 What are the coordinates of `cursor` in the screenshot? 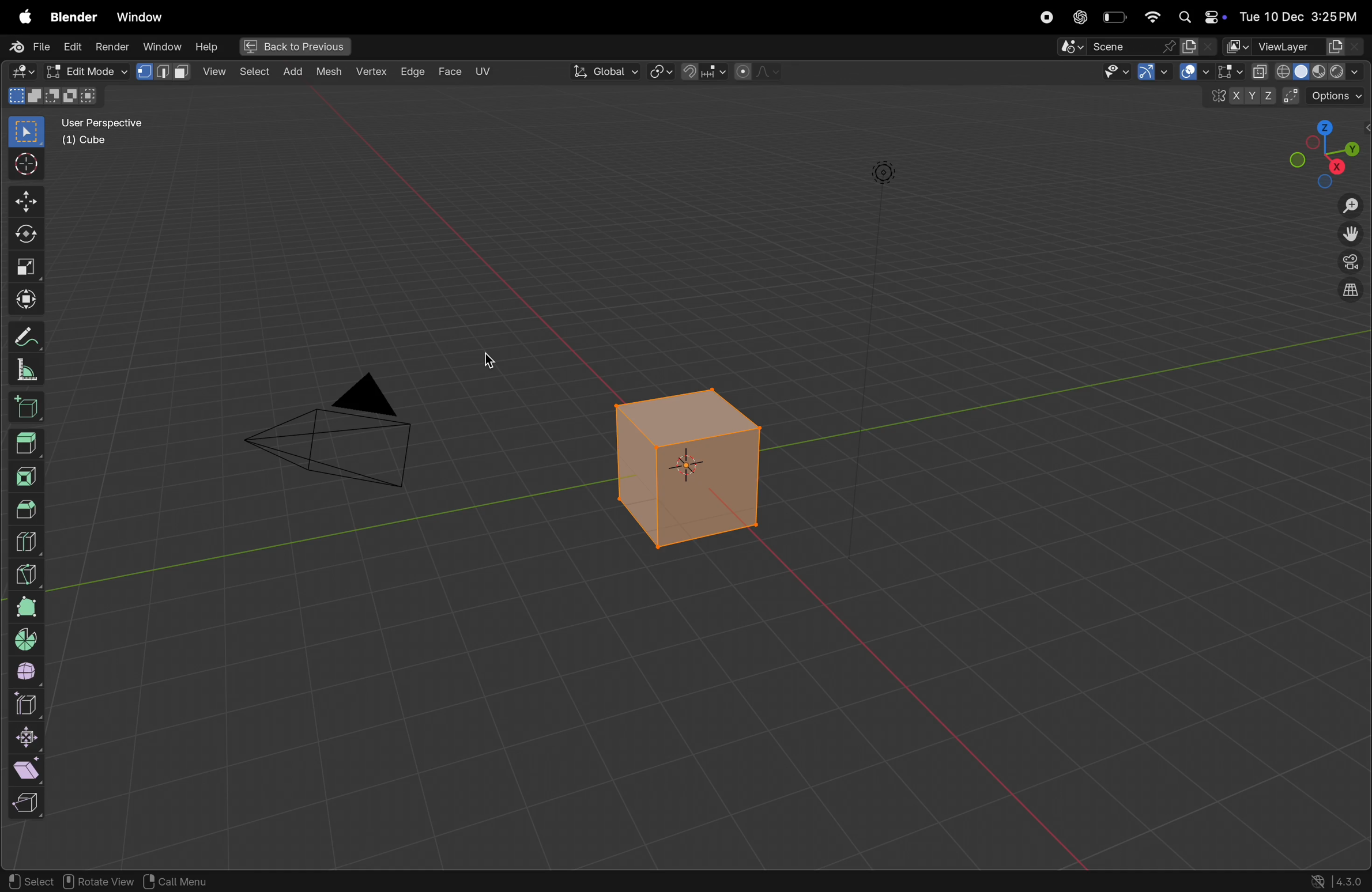 It's located at (24, 165).